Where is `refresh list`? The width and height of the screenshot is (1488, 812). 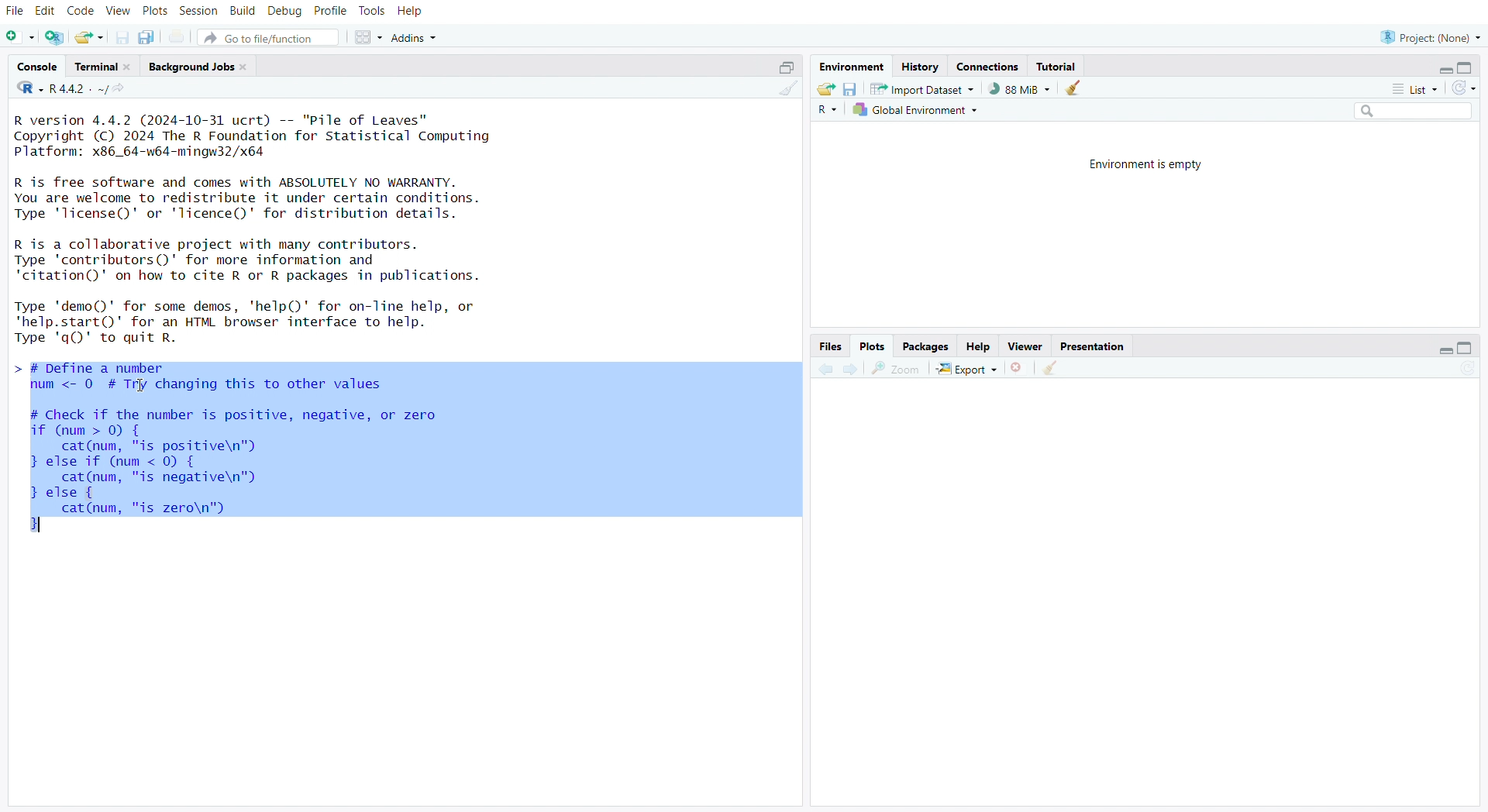
refresh list is located at coordinates (1463, 88).